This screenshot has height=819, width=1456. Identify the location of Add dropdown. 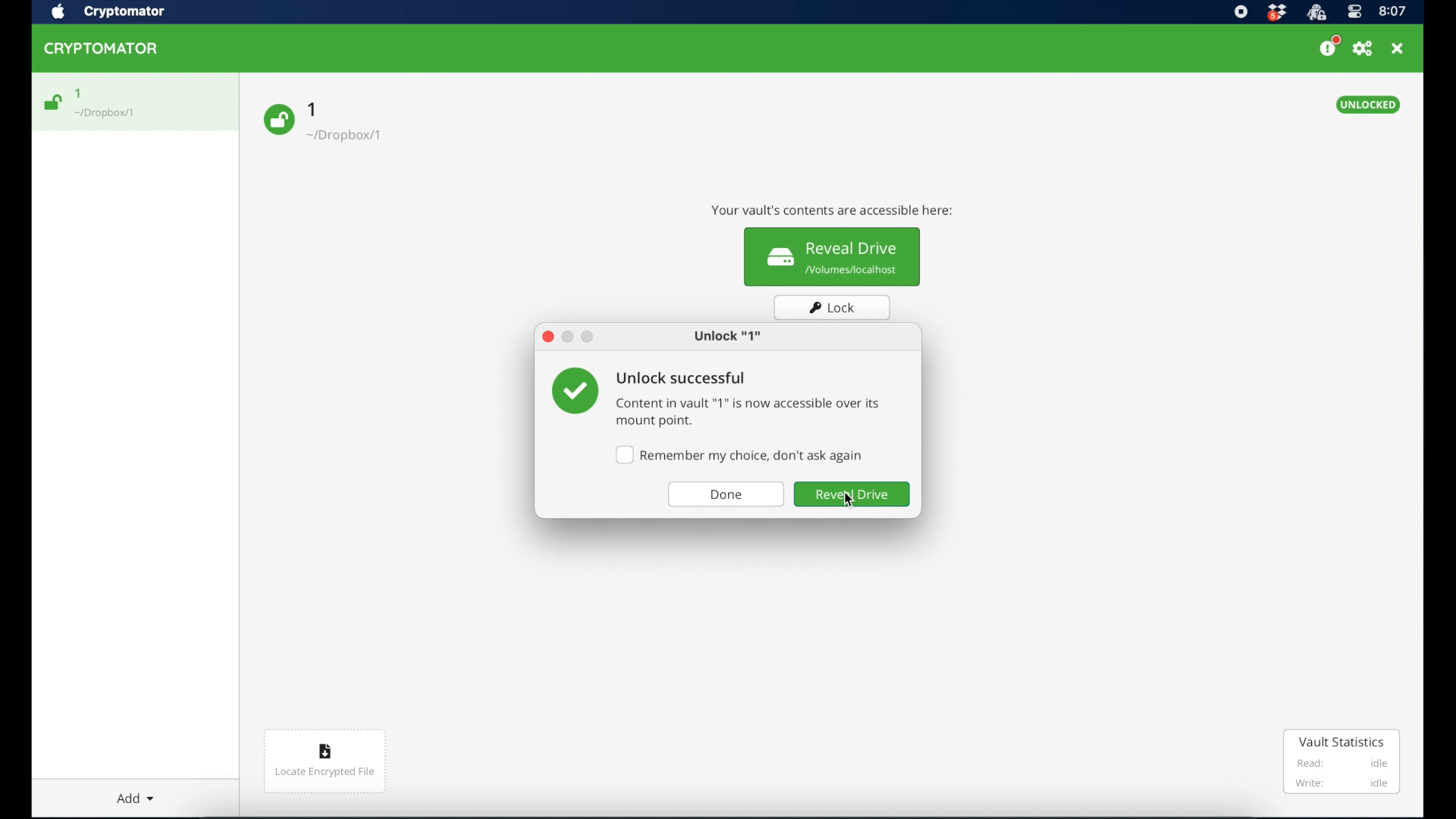
(148, 795).